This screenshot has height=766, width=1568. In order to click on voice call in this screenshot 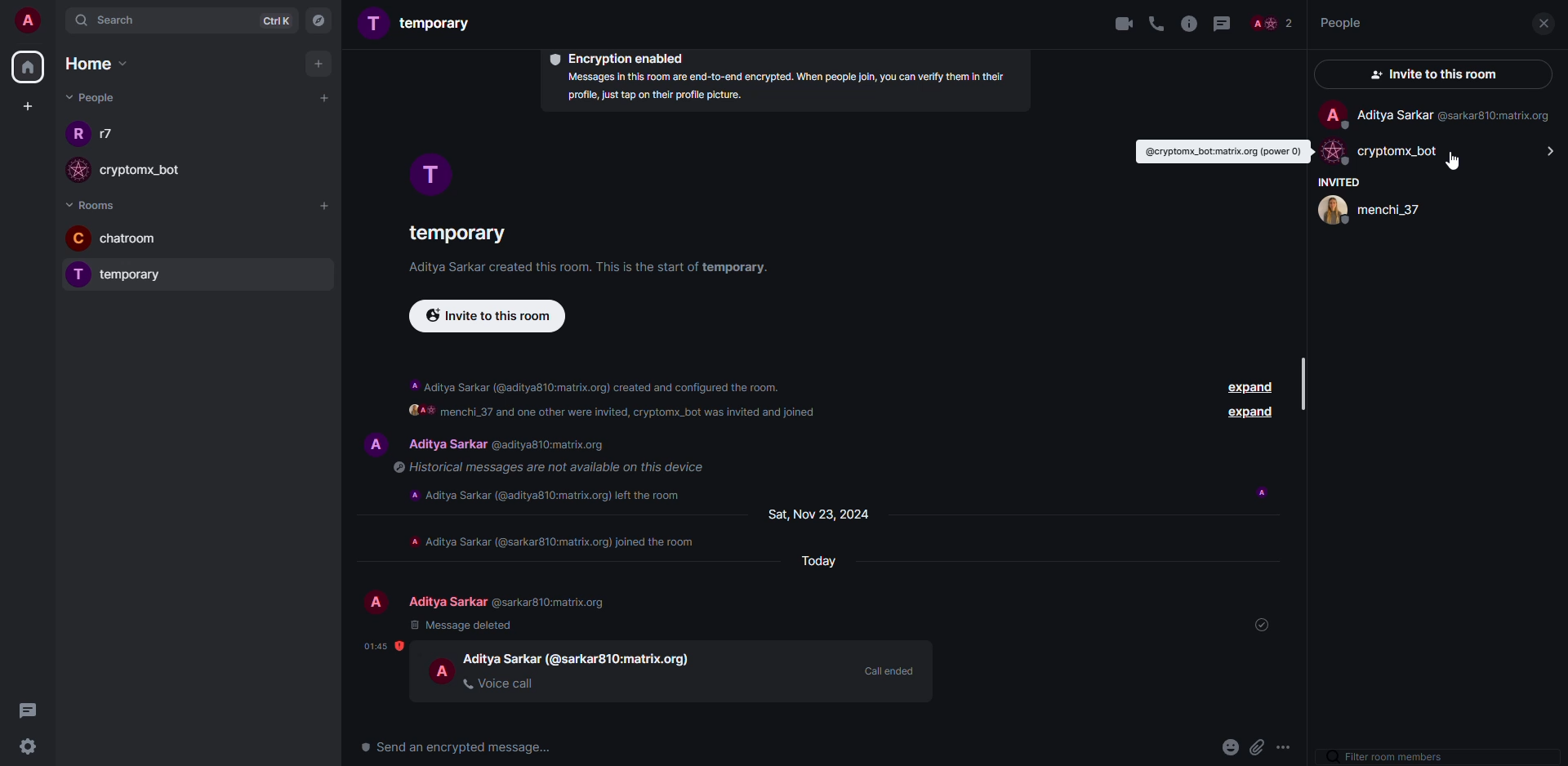, I will do `click(501, 683)`.